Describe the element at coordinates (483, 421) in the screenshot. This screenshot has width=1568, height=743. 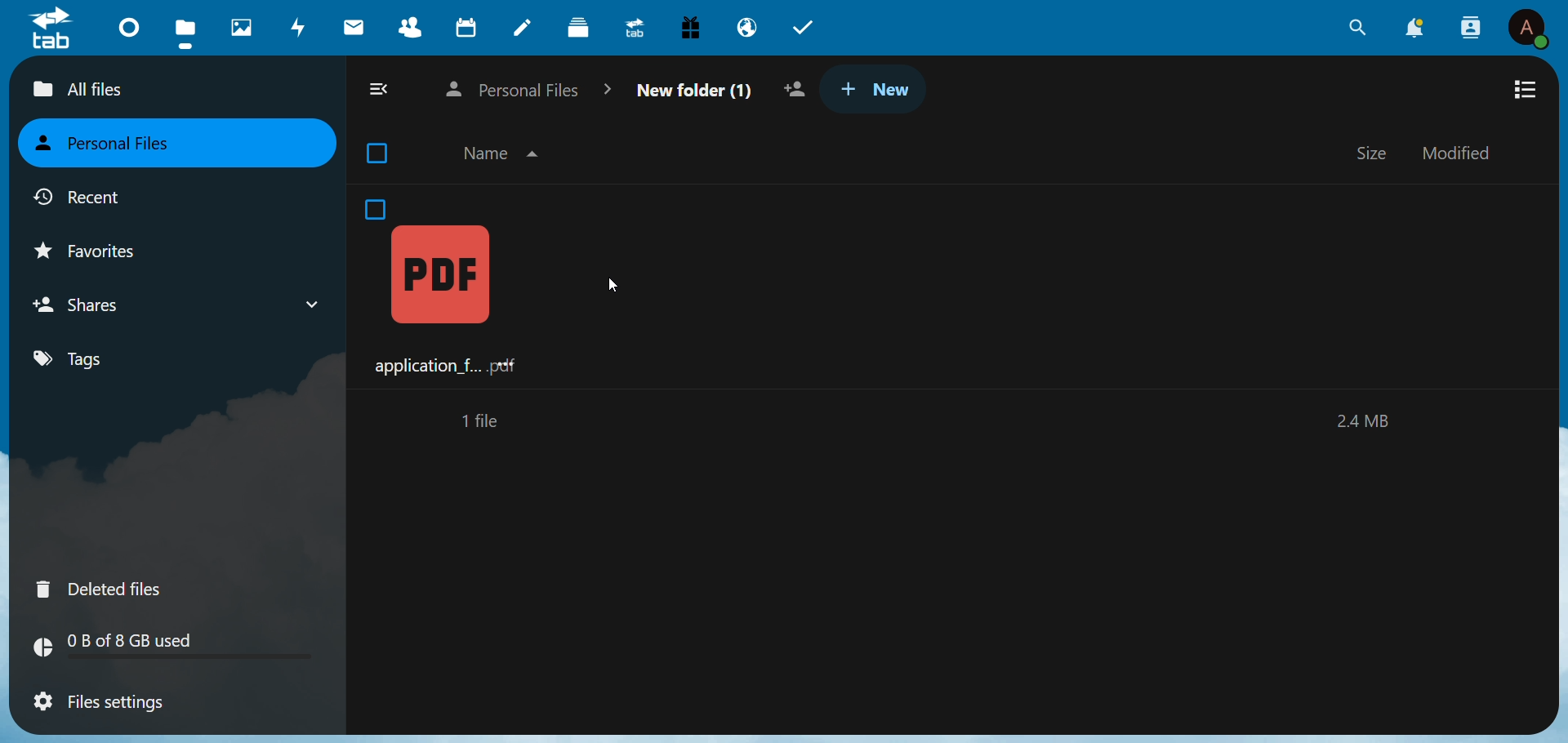
I see `1 file` at that location.